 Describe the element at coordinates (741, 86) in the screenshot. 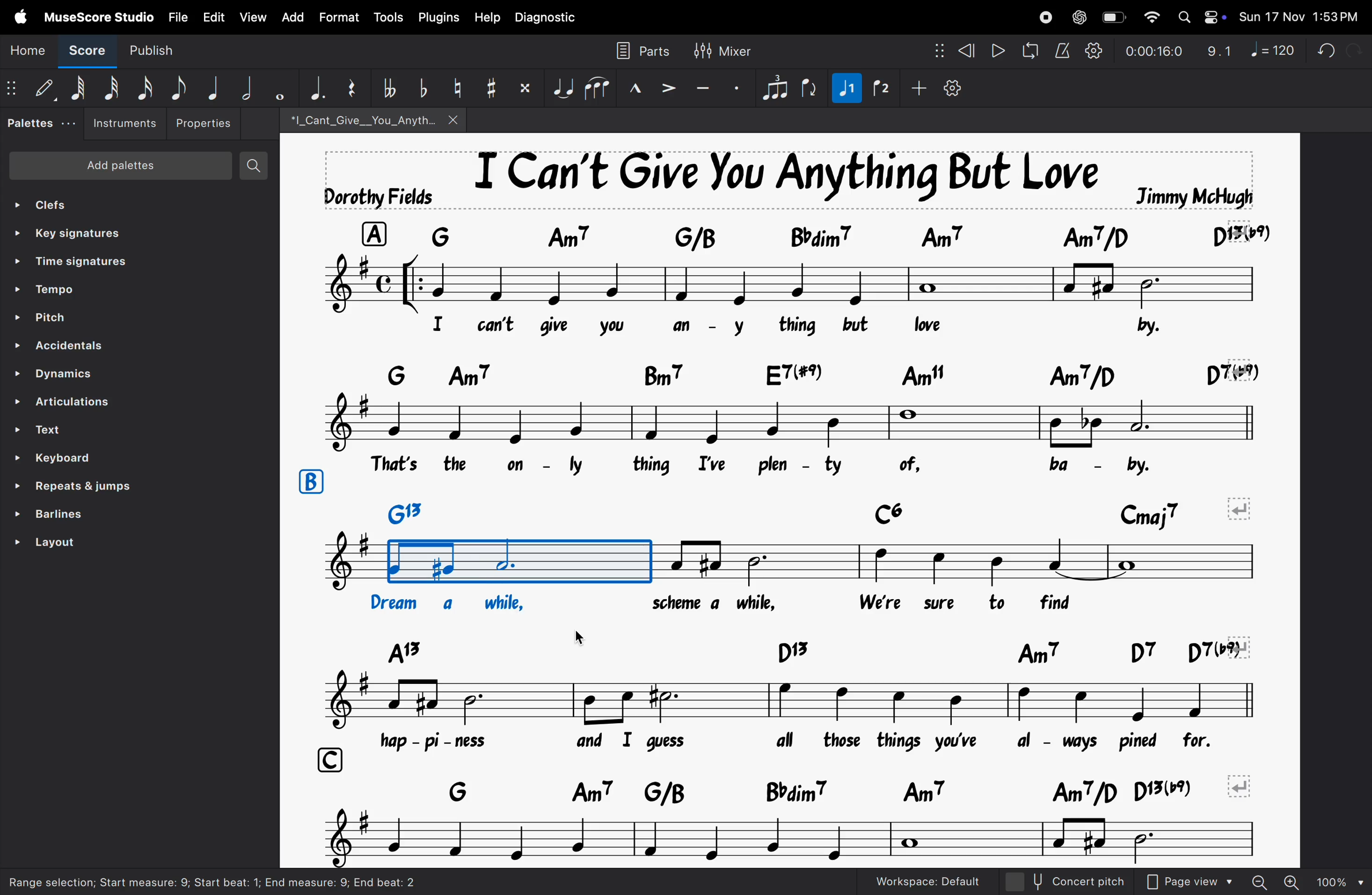

I see `sataccato` at that location.